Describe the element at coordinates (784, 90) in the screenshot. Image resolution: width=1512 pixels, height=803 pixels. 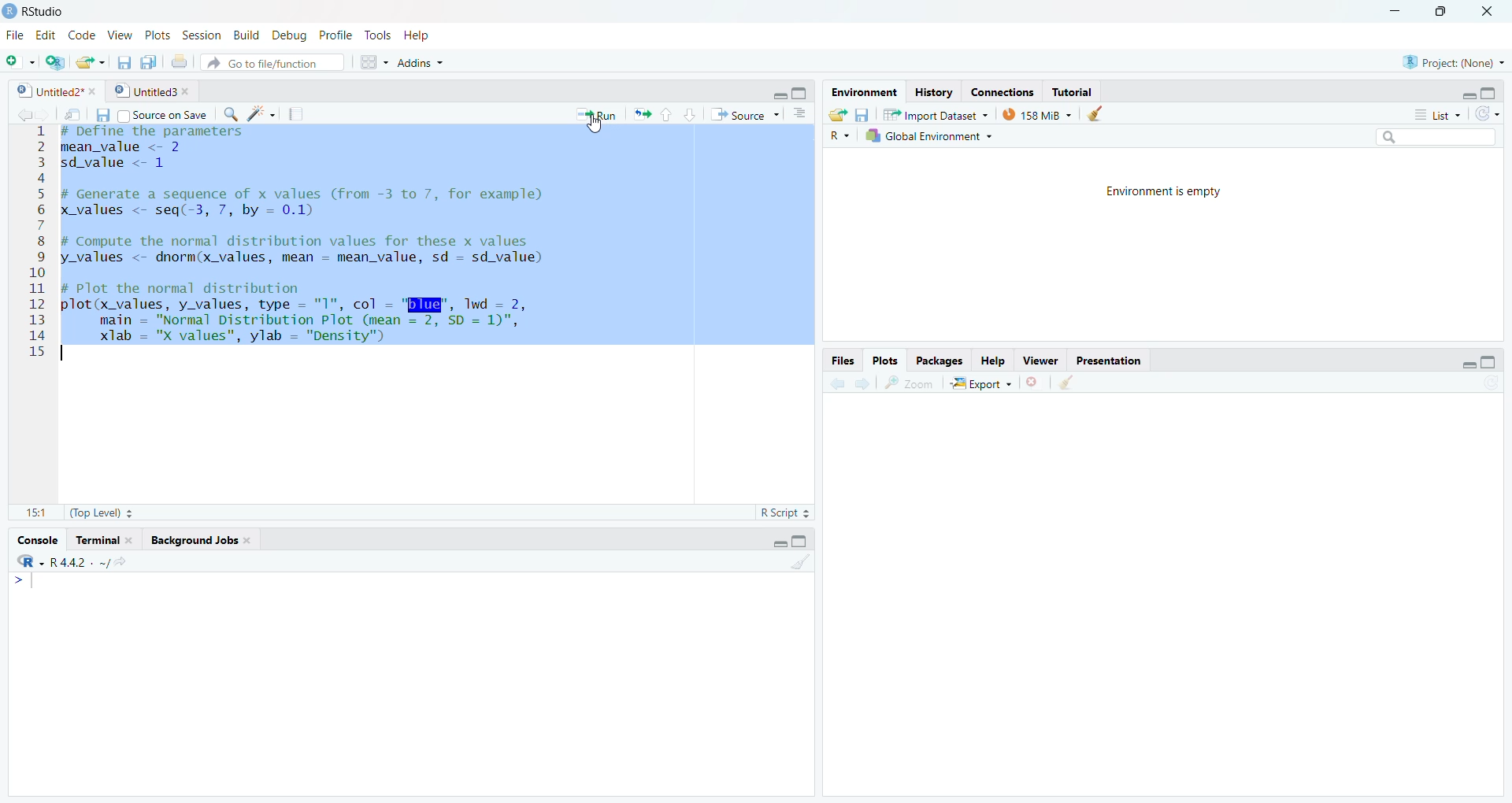
I see `Maximize/minimize` at that location.